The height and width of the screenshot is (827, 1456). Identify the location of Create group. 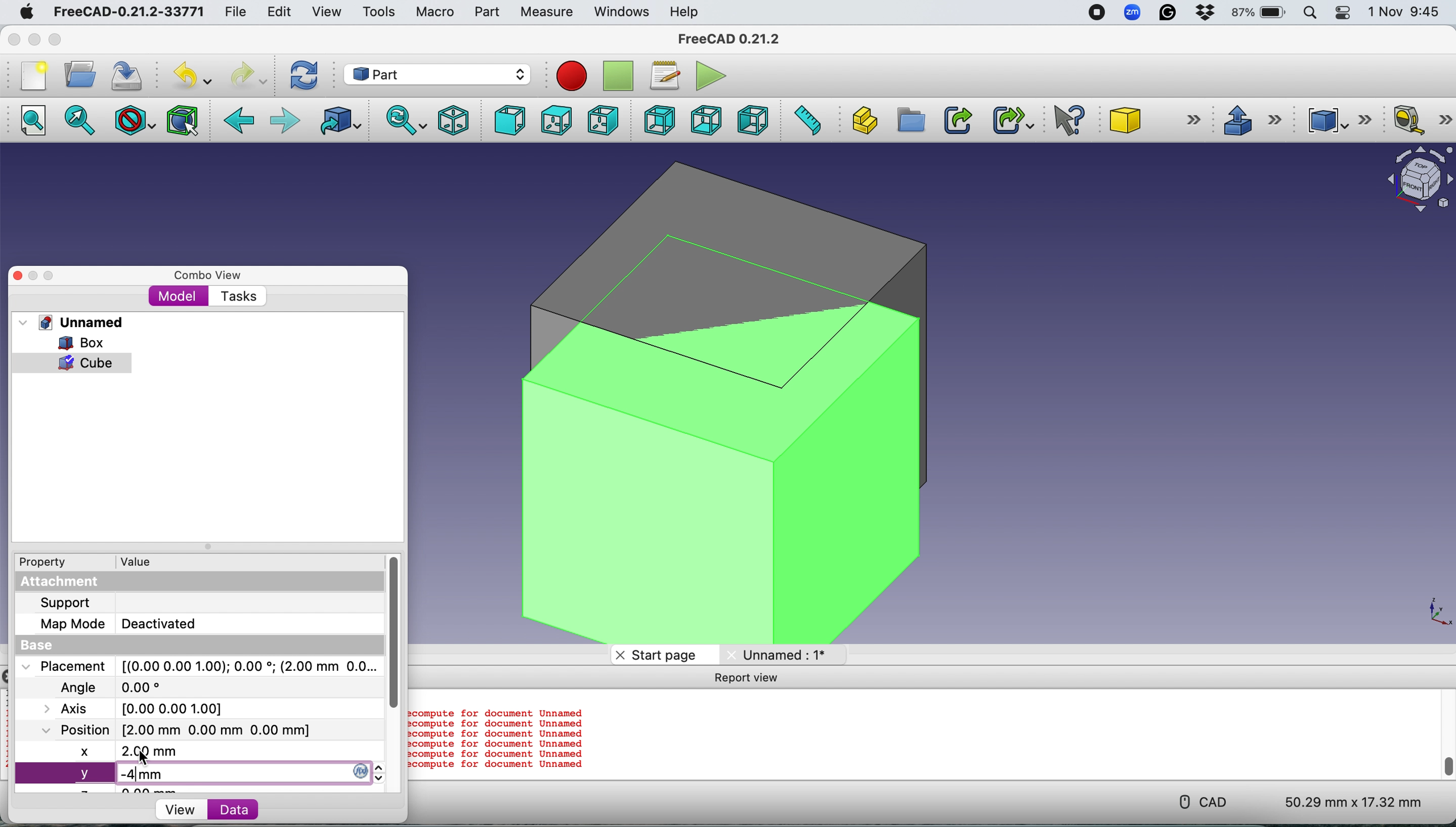
(909, 120).